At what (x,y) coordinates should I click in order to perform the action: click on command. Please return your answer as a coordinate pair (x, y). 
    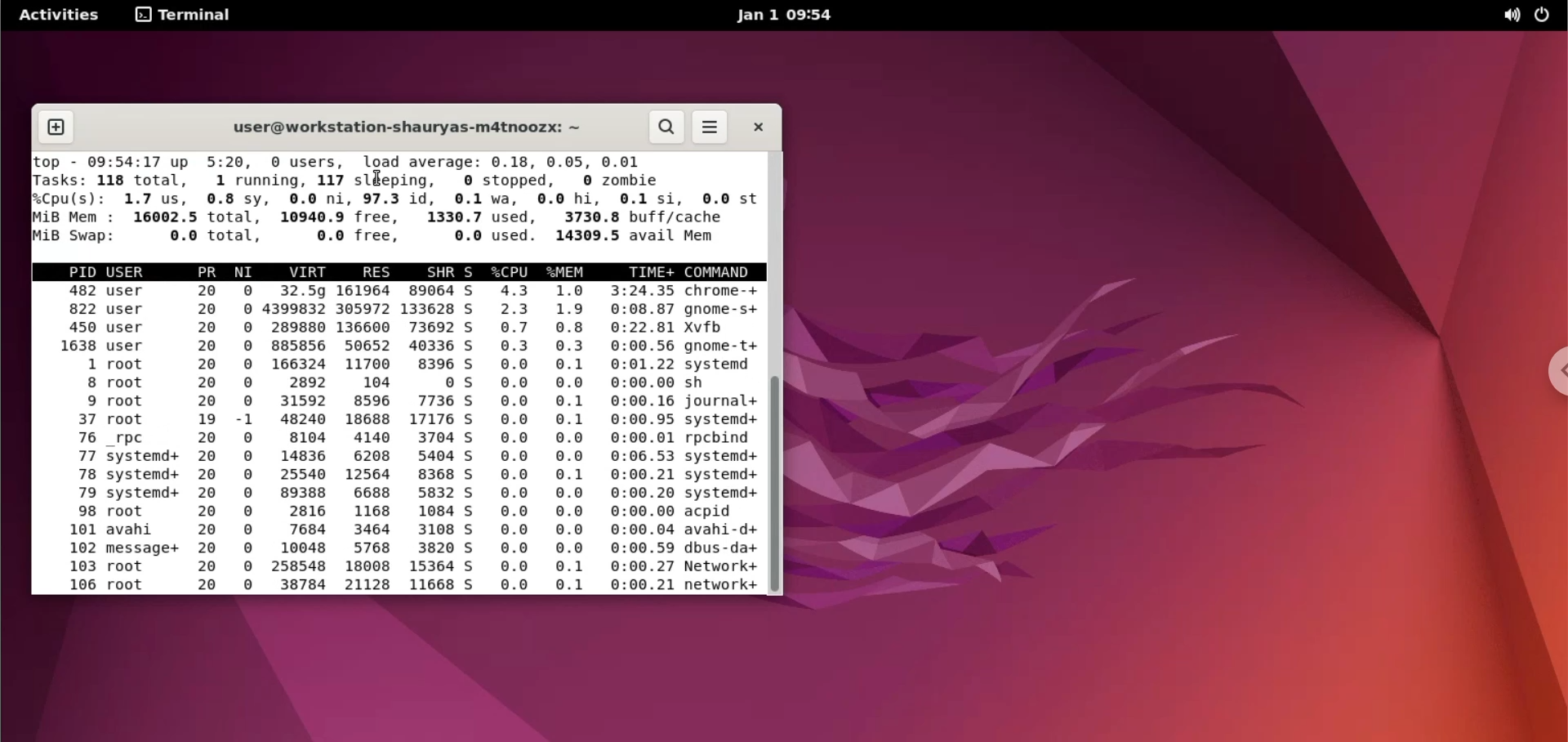
    Looking at the image, I should click on (724, 272).